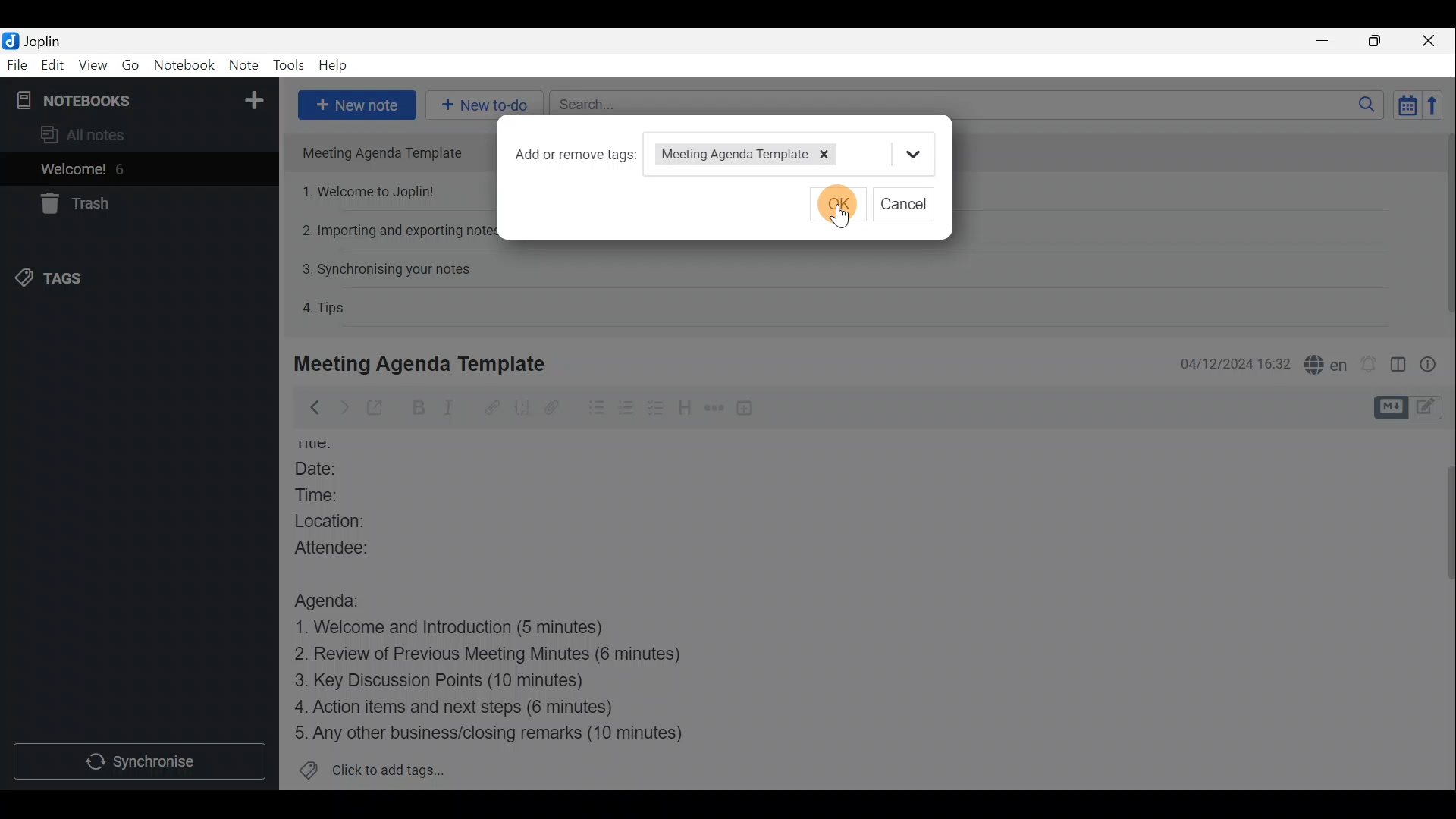  Describe the element at coordinates (422, 363) in the screenshot. I see `Meeting Agenda Template` at that location.